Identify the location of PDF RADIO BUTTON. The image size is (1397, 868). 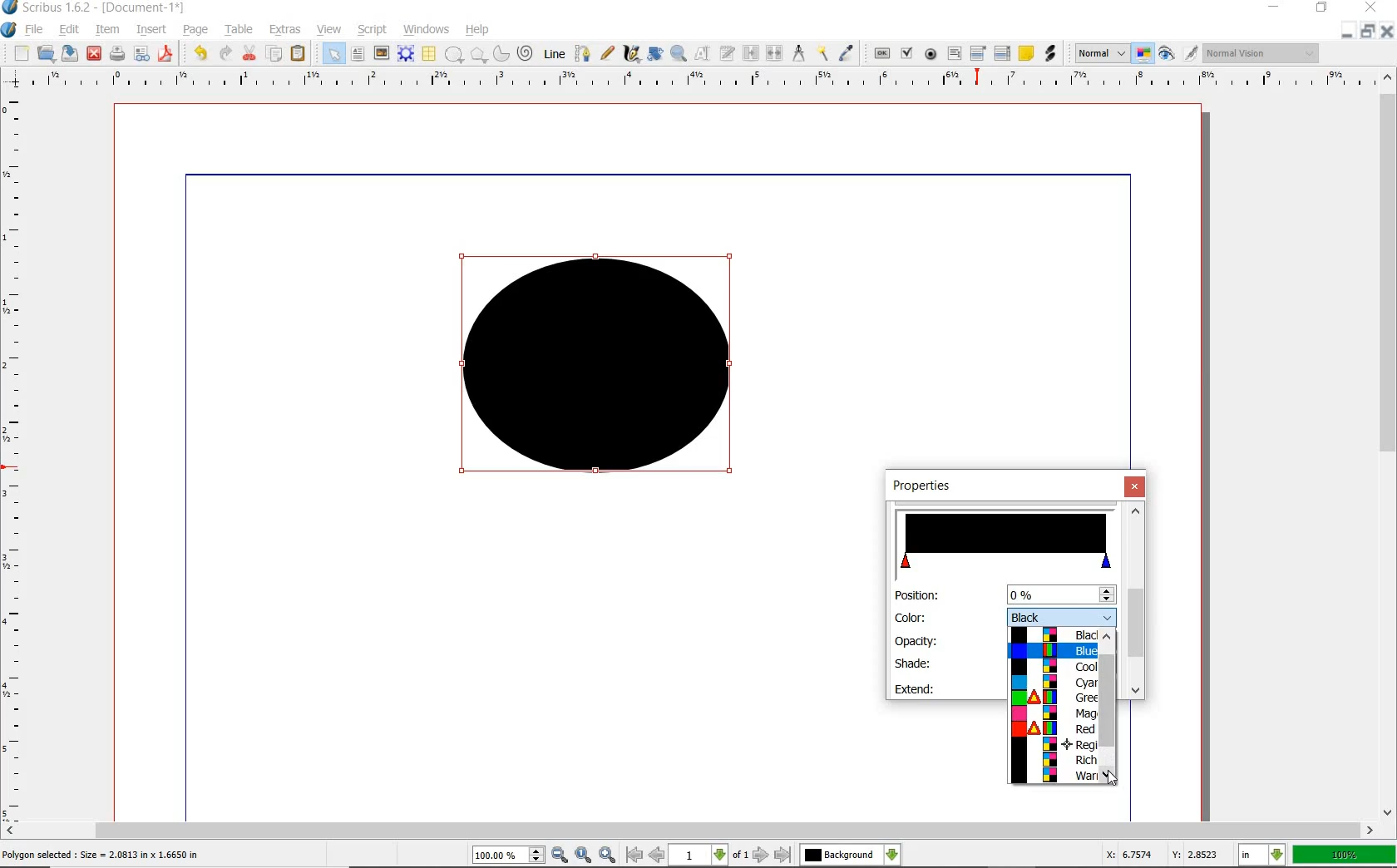
(931, 53).